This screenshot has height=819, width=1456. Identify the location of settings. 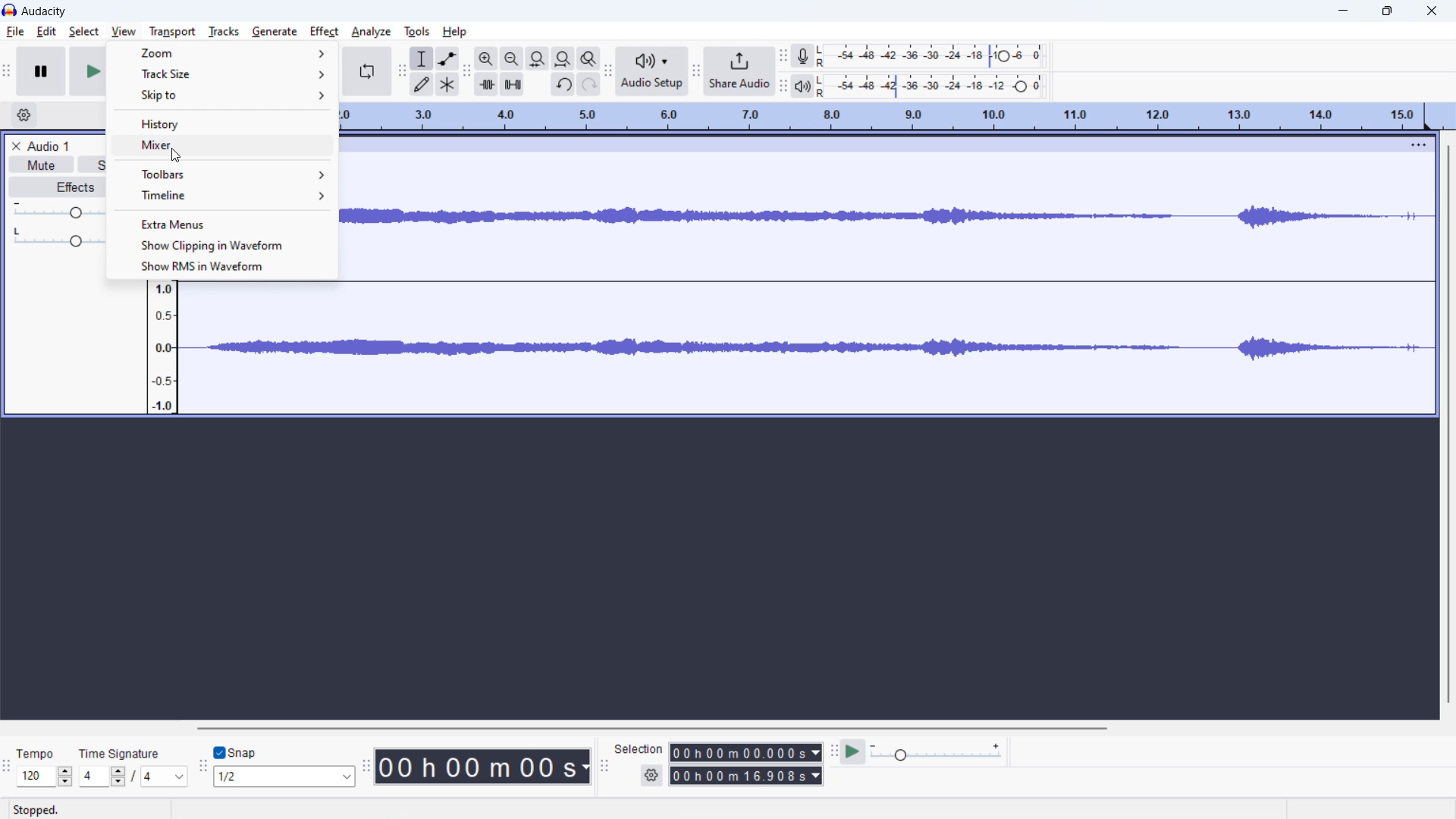
(651, 774).